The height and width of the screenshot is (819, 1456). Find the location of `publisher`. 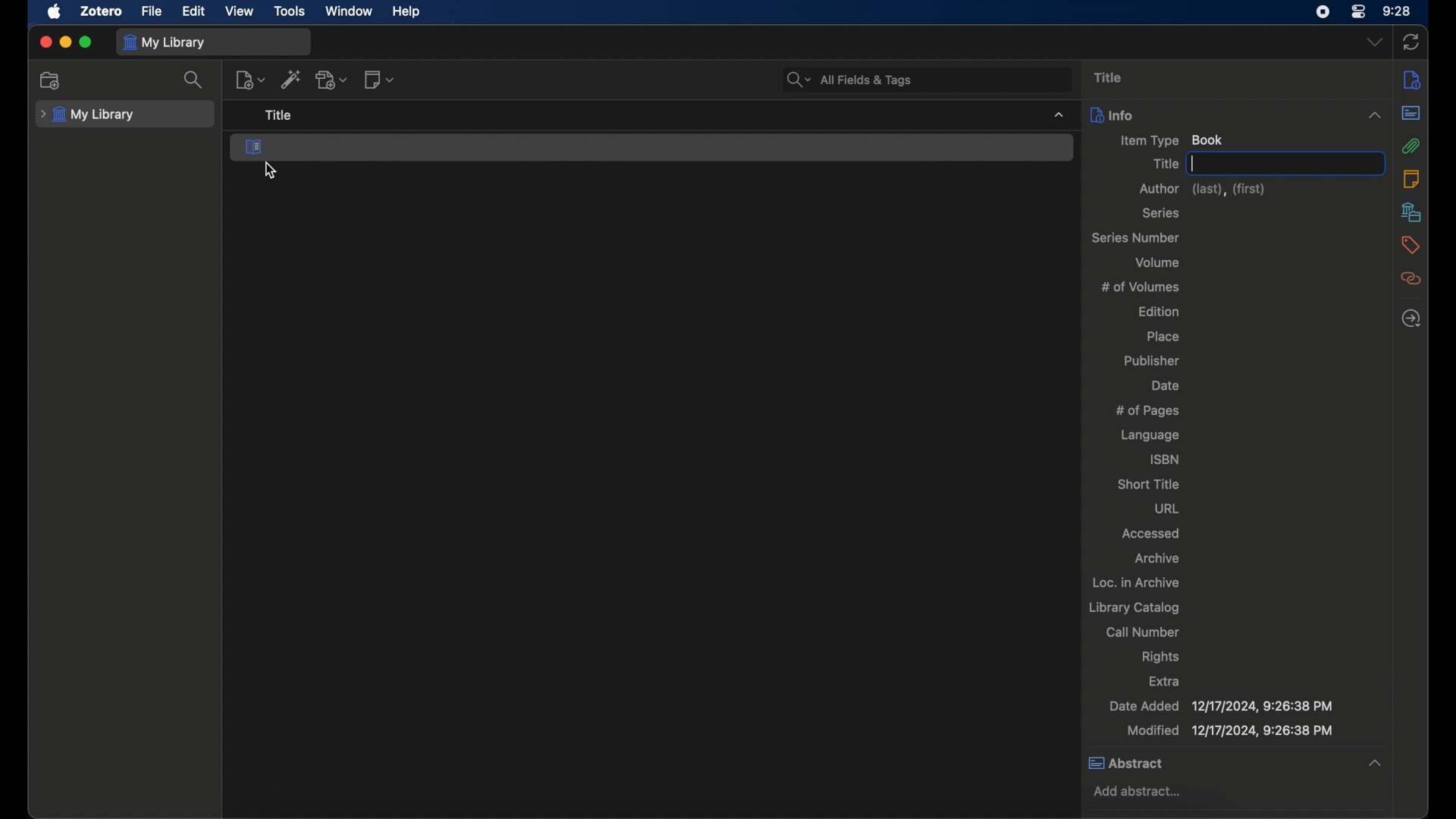

publisher is located at coordinates (1152, 360).